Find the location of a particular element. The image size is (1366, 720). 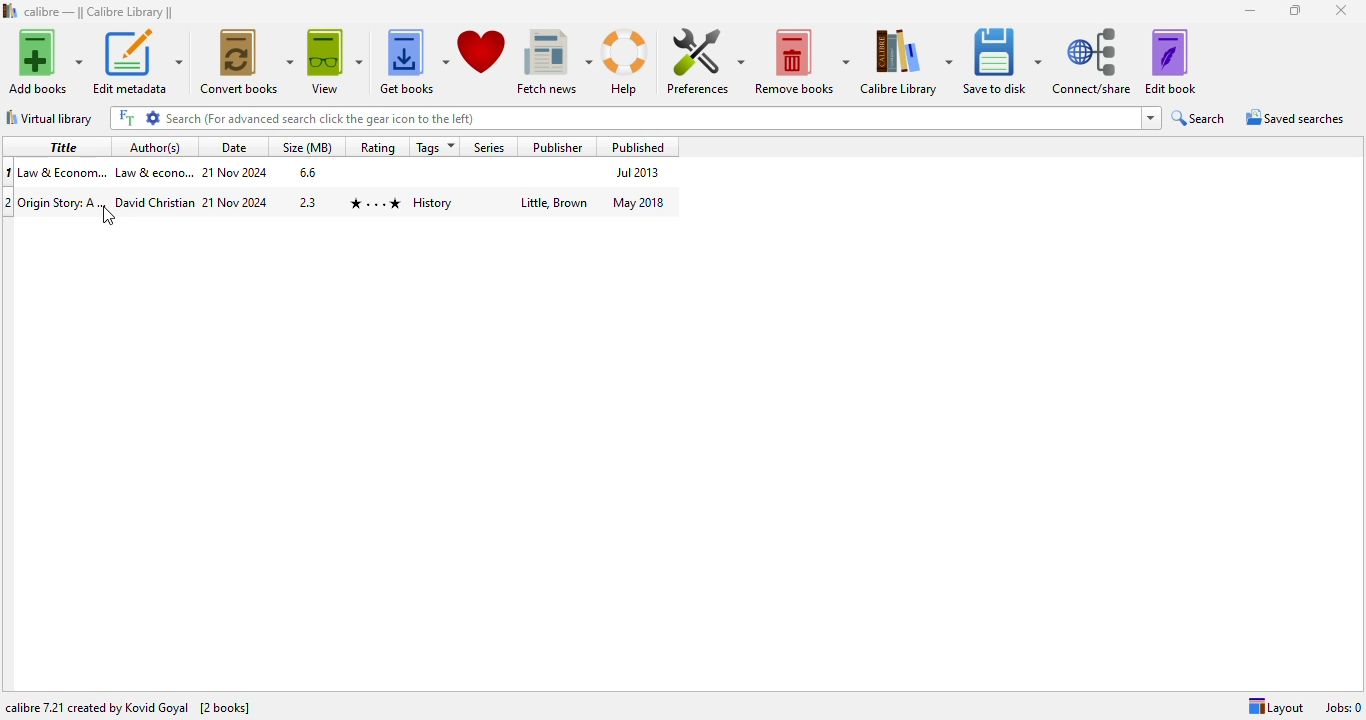

calibre 7.21 created by Kovid Goyal is located at coordinates (96, 708).